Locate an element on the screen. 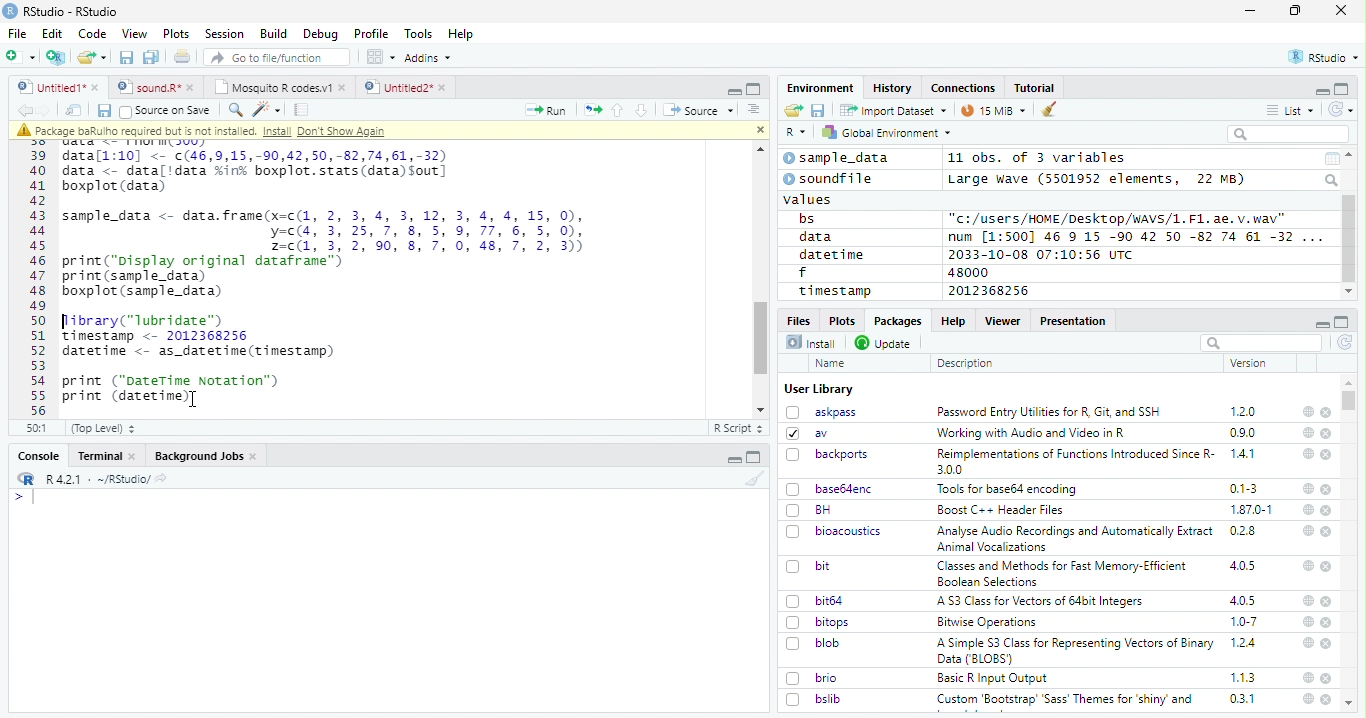 The width and height of the screenshot is (1366, 718). Update is located at coordinates (885, 343).